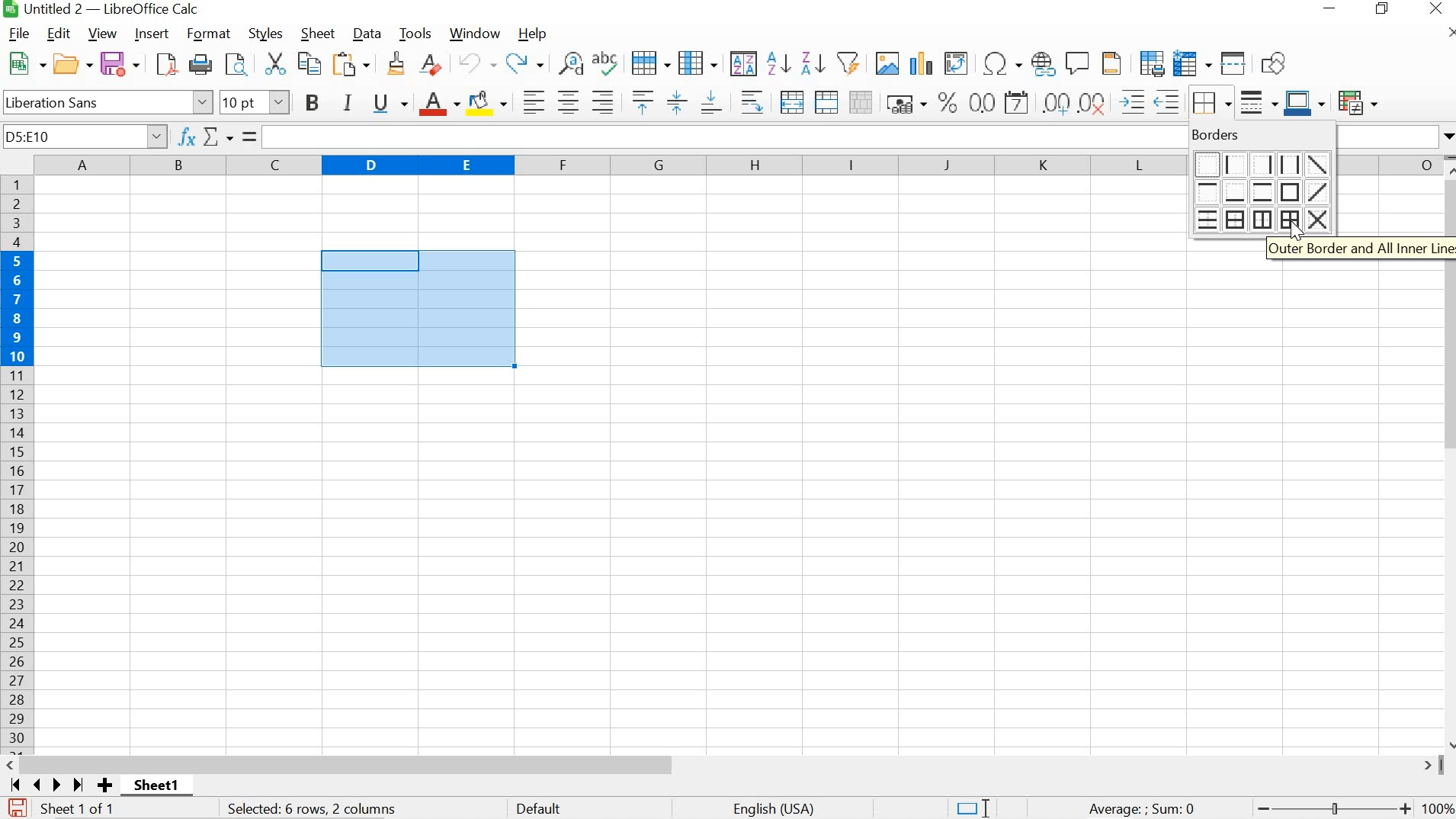 The width and height of the screenshot is (1456, 819). What do you see at coordinates (972, 808) in the screenshot?
I see `selection mode` at bounding box center [972, 808].